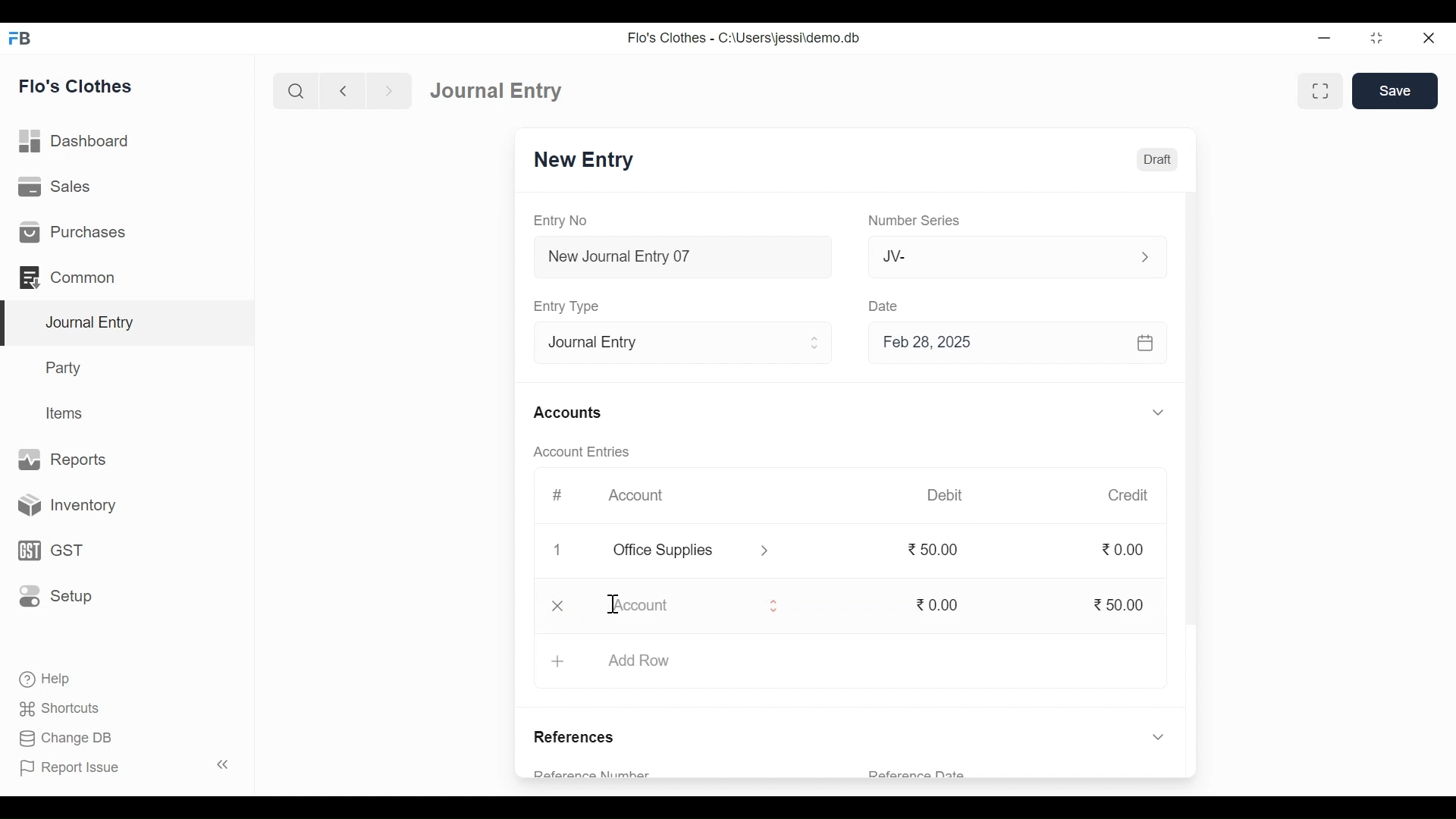  What do you see at coordinates (1158, 412) in the screenshot?
I see `Expand` at bounding box center [1158, 412].